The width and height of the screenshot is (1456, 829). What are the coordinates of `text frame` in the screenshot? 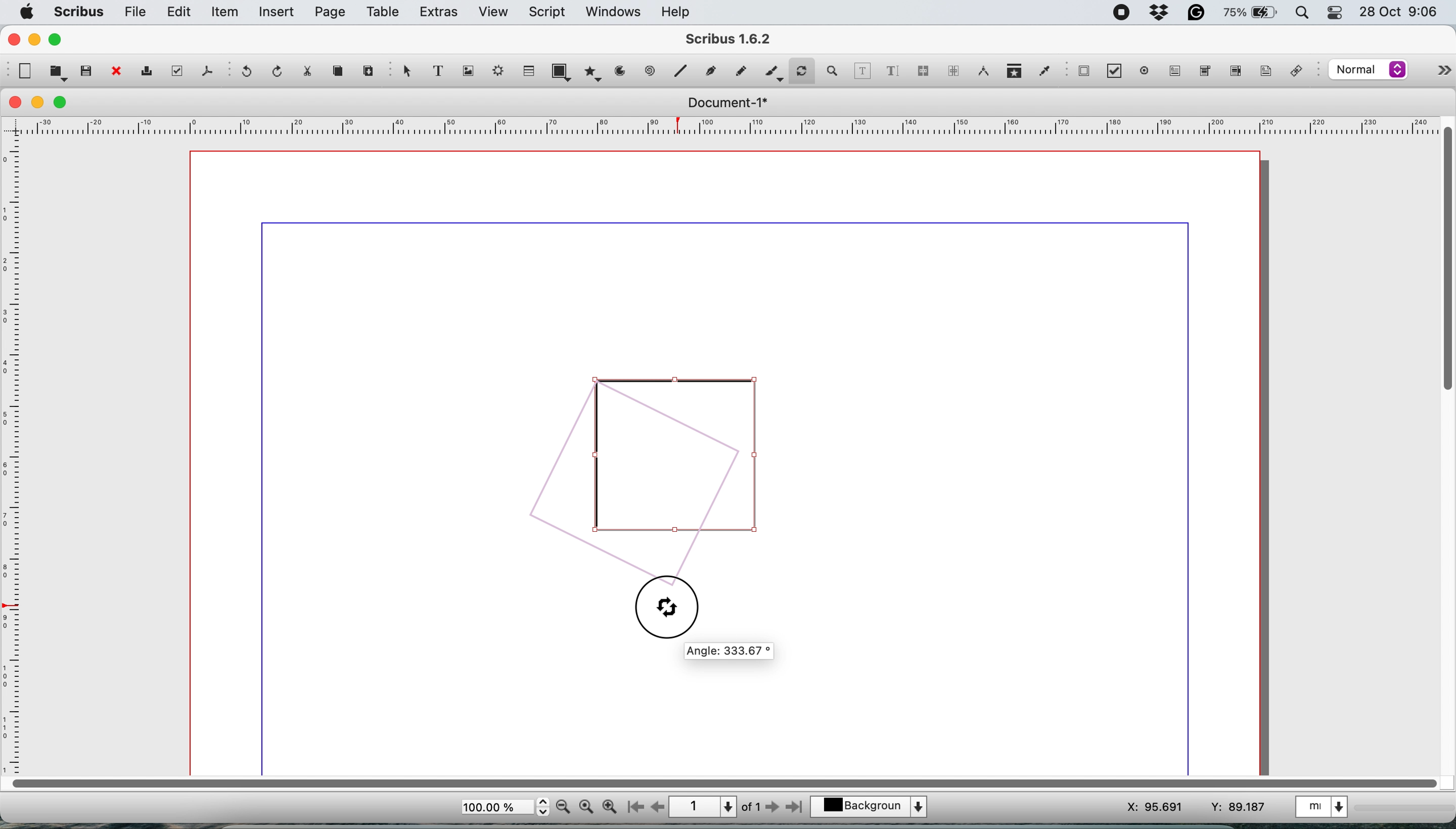 It's located at (444, 72).